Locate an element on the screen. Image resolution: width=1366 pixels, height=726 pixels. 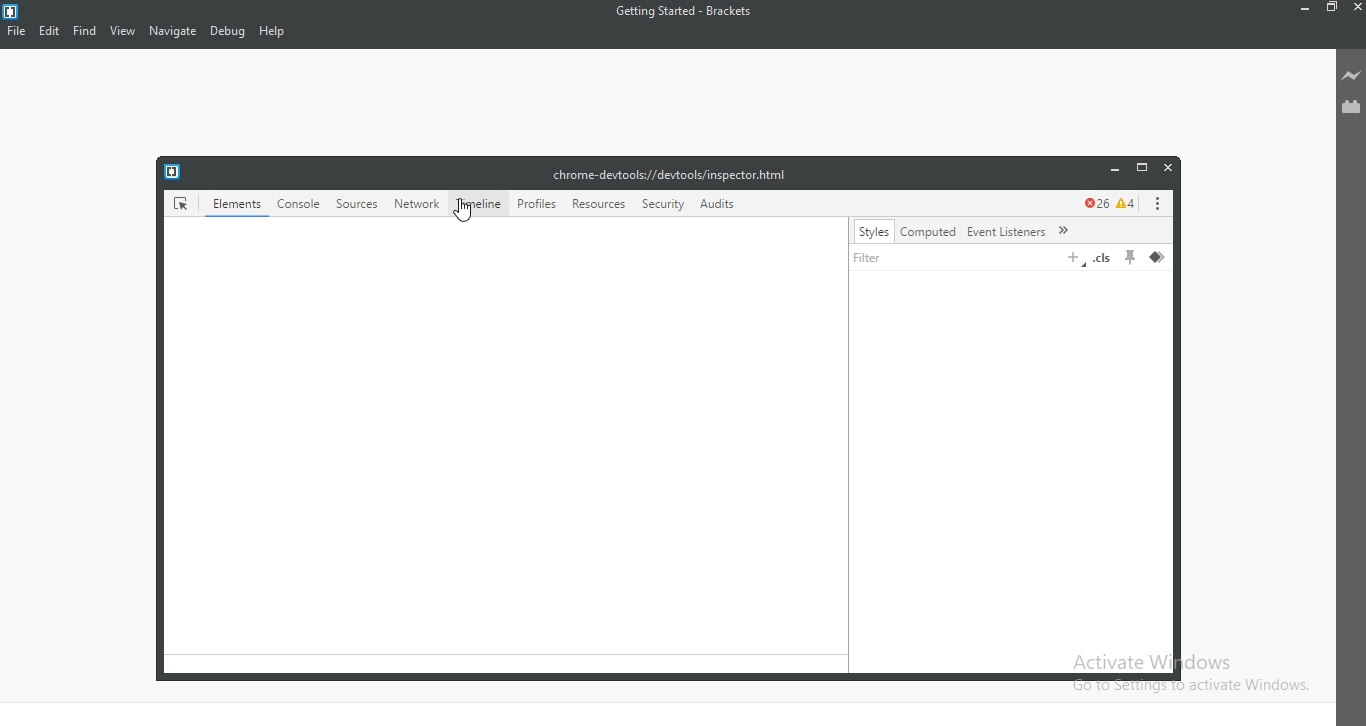
Help is located at coordinates (271, 32).